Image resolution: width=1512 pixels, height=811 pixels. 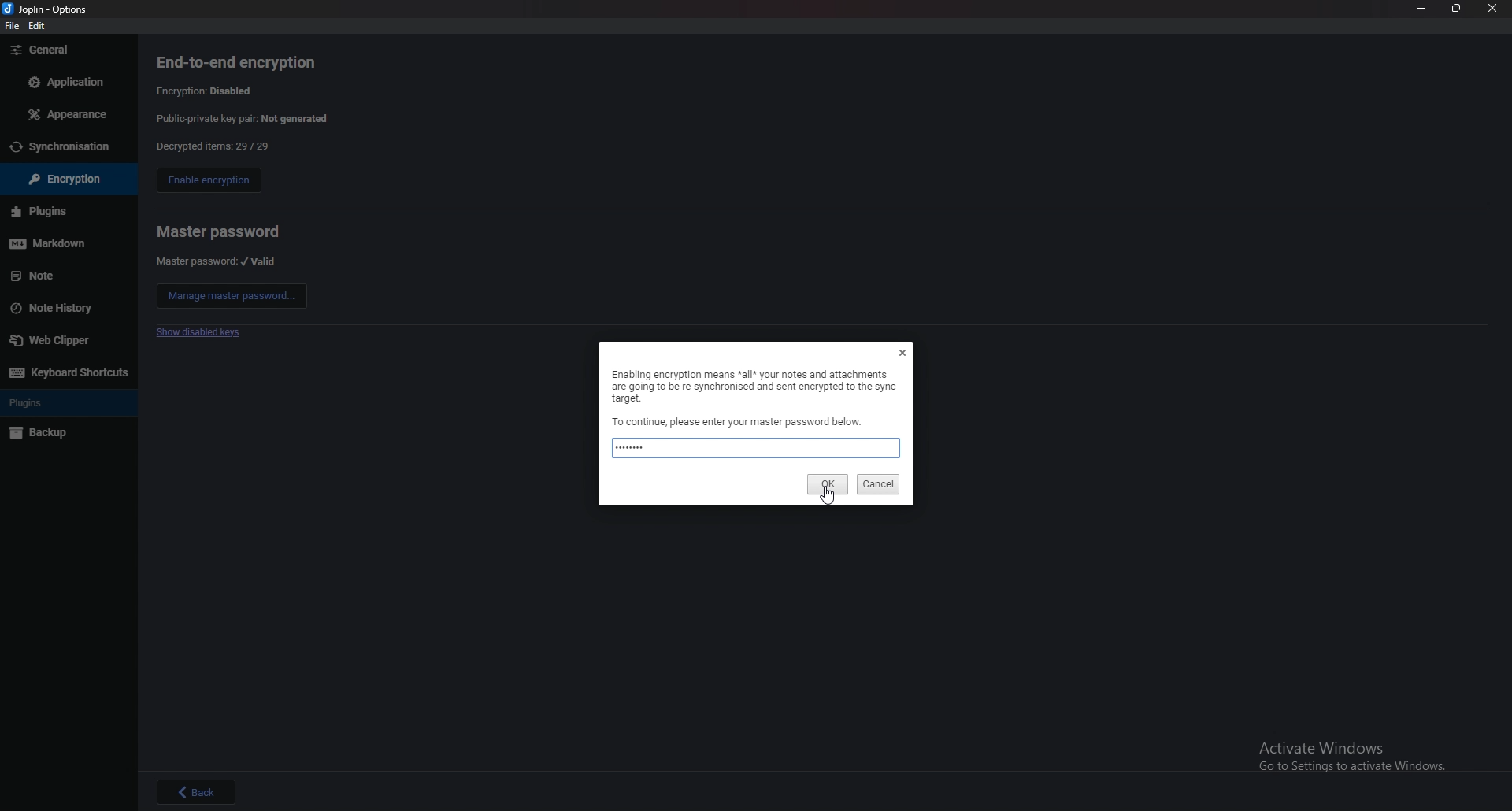 I want to click on , so click(x=71, y=374).